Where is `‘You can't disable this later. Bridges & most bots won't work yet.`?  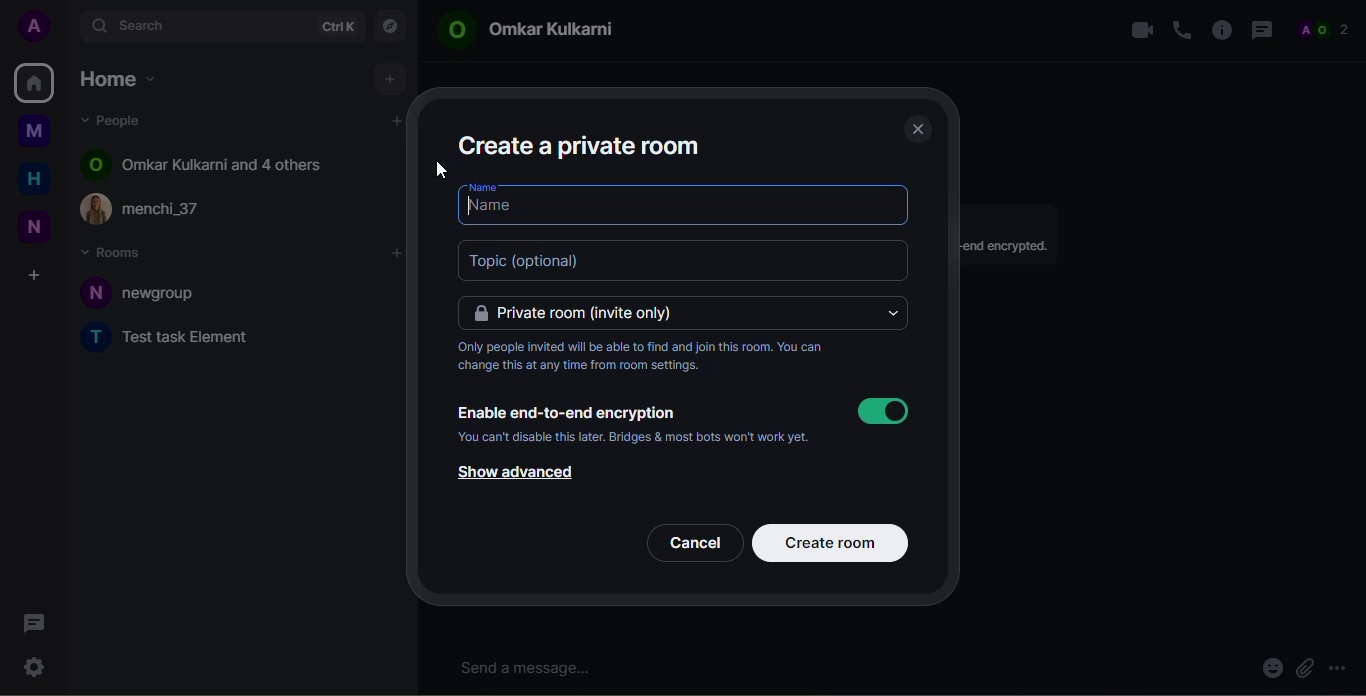
‘You can't disable this later. Bridges & most bots won't work yet. is located at coordinates (645, 438).